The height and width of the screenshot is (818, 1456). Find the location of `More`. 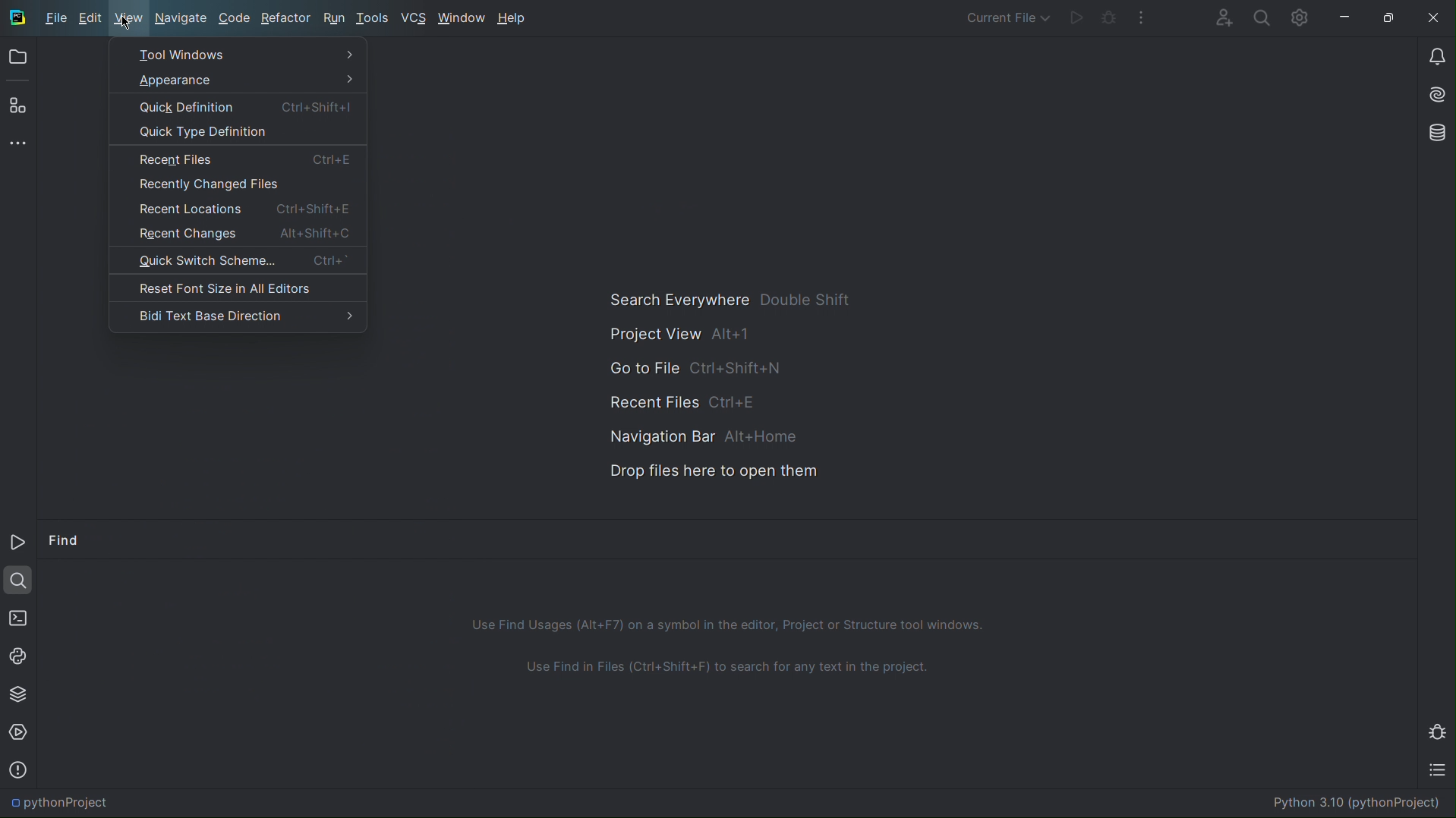

More is located at coordinates (1141, 16).